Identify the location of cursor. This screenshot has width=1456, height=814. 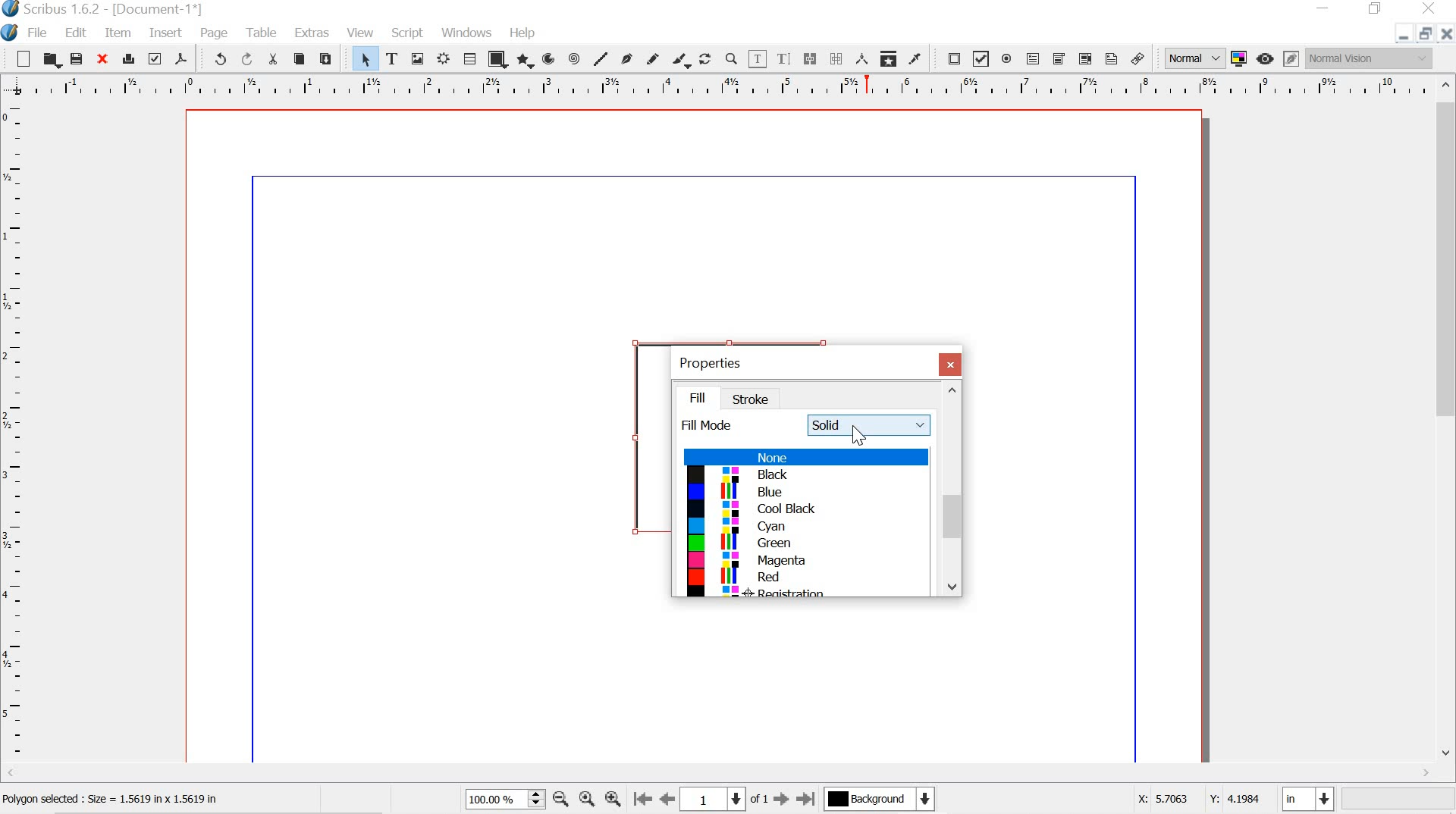
(861, 435).